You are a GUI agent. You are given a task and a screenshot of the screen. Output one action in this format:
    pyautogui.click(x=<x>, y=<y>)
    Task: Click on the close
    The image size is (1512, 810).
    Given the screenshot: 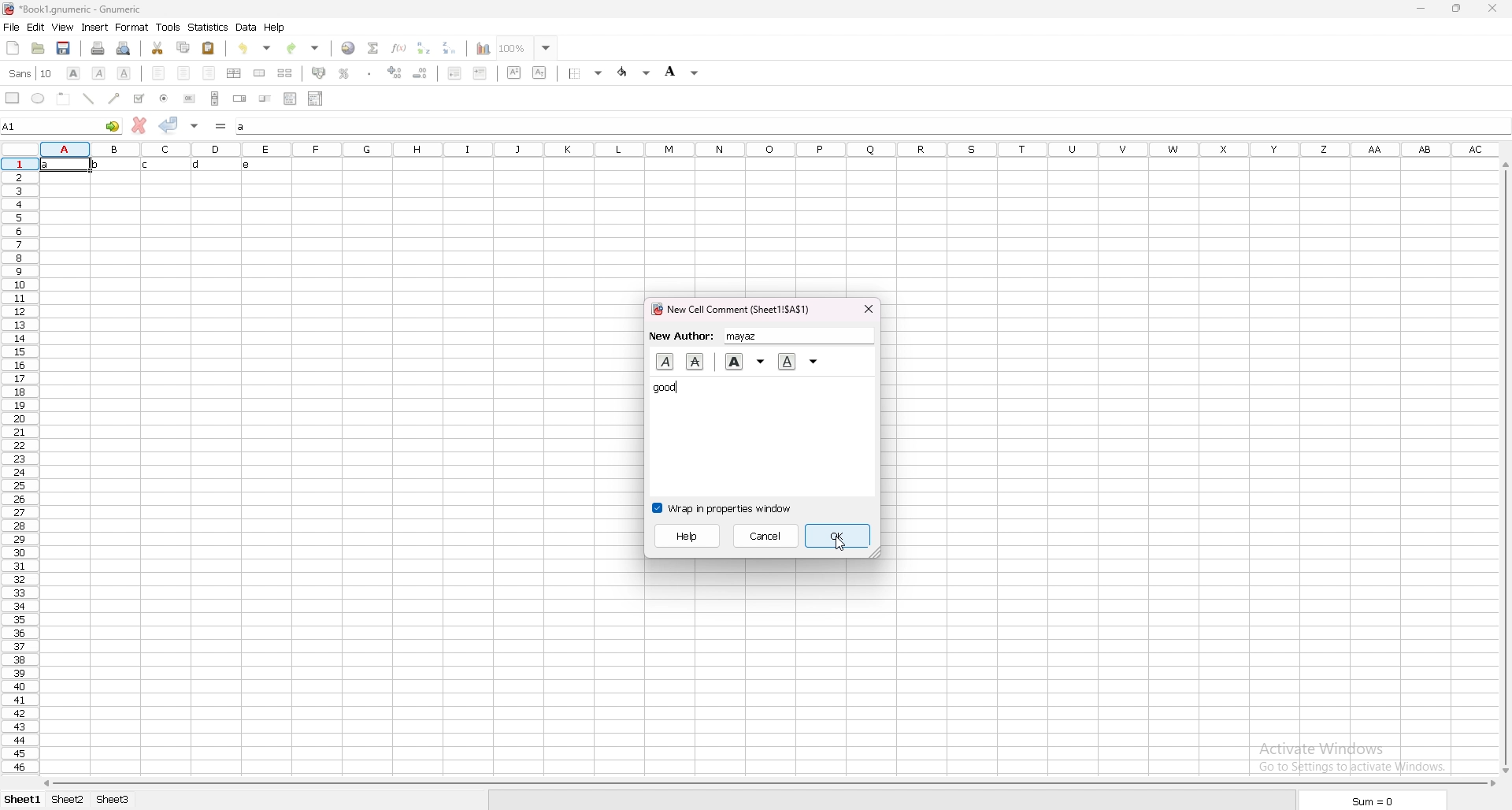 What is the action you would take?
    pyautogui.click(x=1498, y=9)
    